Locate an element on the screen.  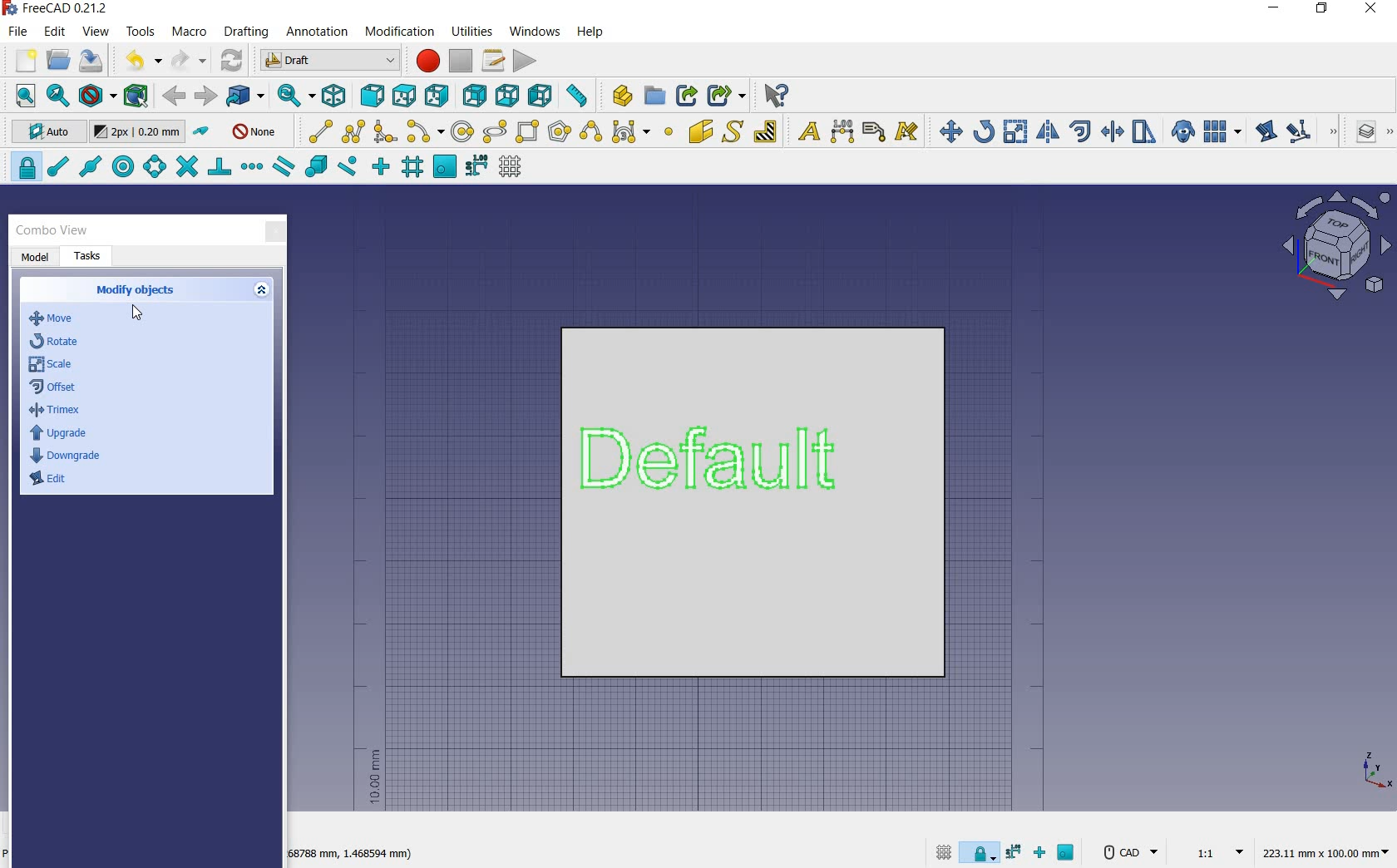
dimension is located at coordinates (843, 133).